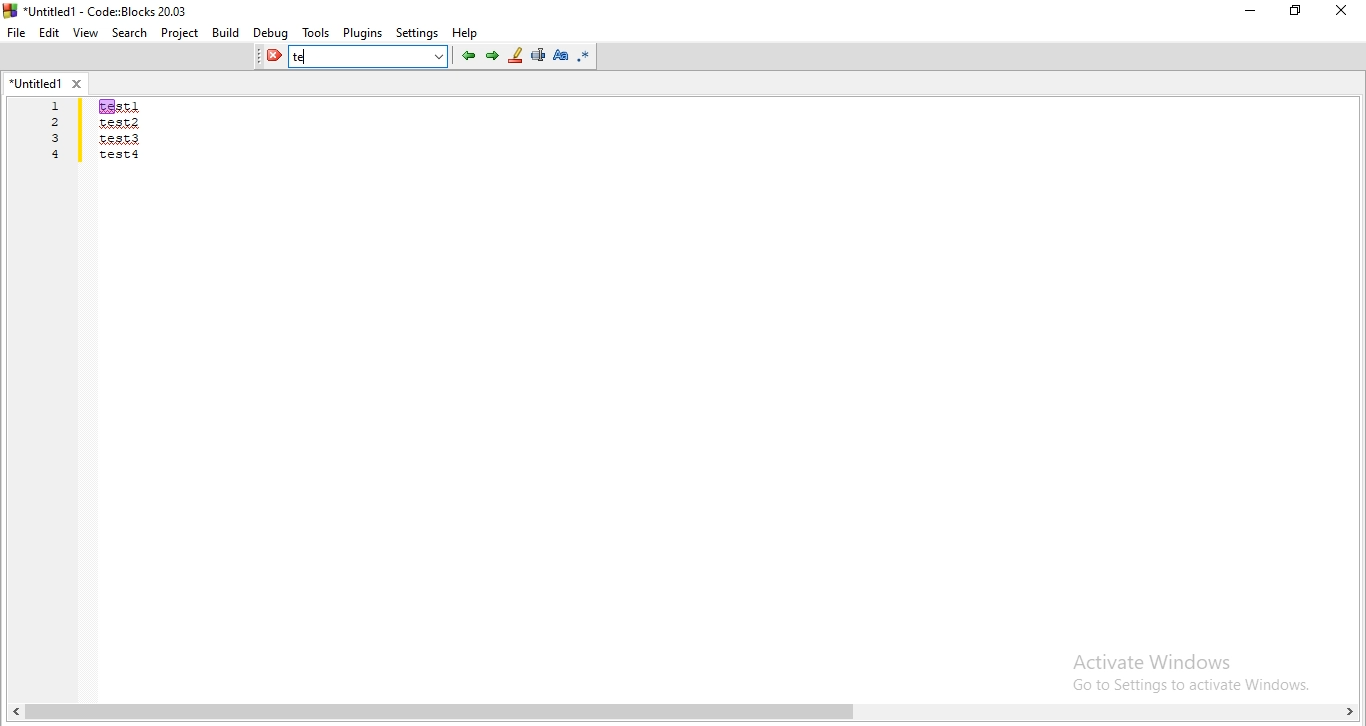  Describe the element at coordinates (120, 123) in the screenshot. I see `test2` at that location.